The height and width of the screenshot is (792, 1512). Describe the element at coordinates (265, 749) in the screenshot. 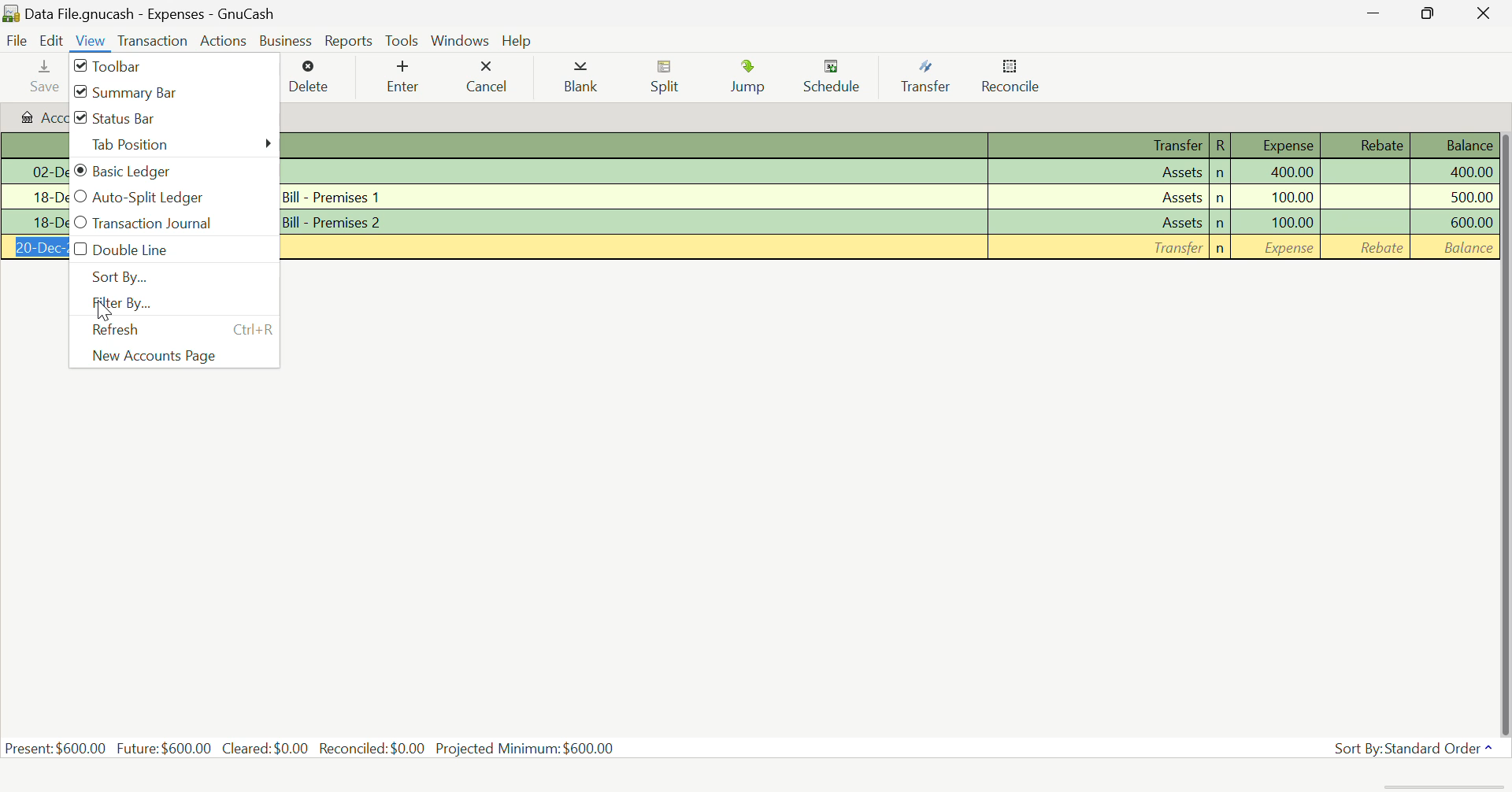

I see `Cleared` at that location.